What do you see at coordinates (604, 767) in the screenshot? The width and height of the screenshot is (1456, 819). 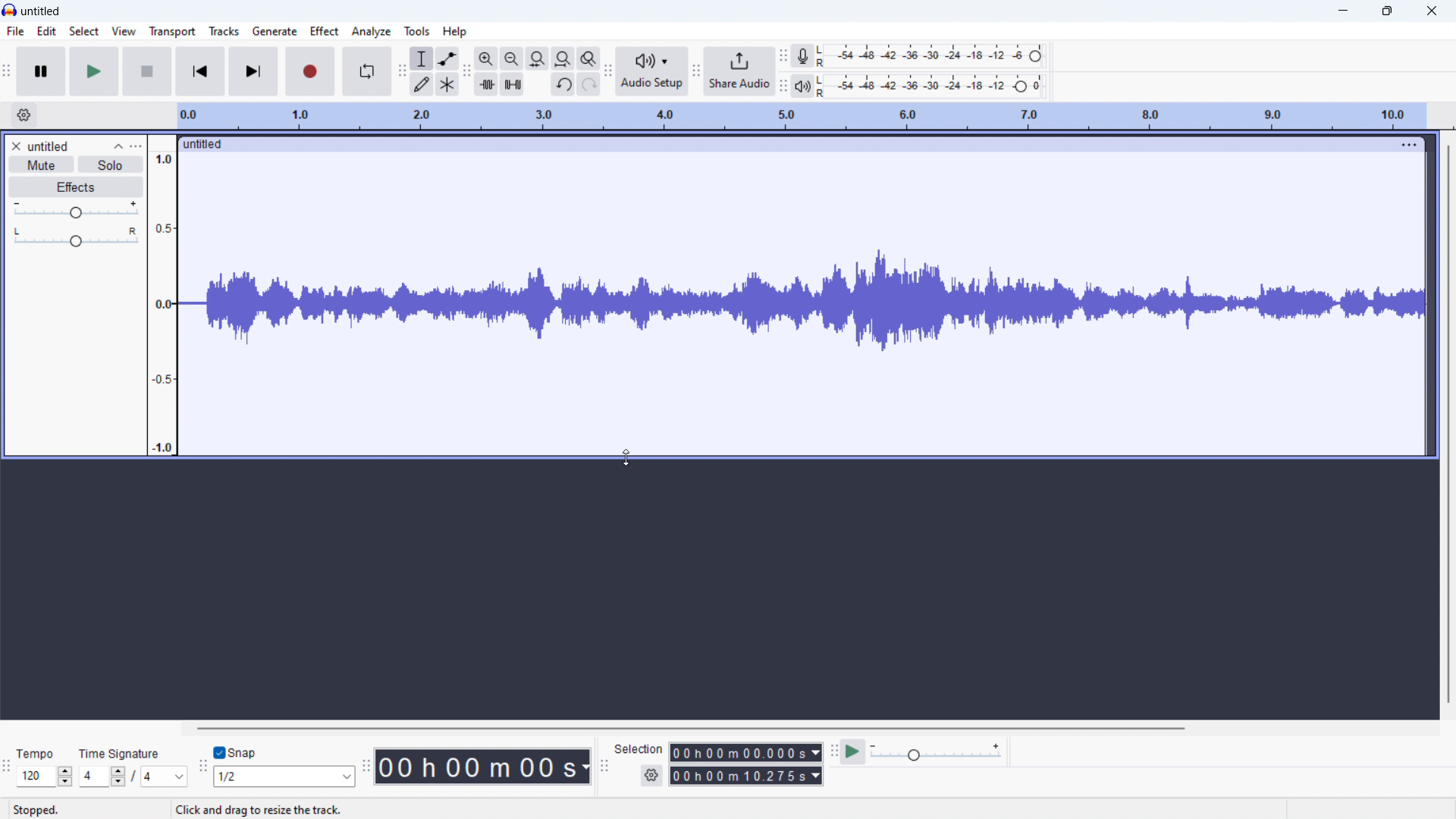 I see `selection toolbar` at bounding box center [604, 767].